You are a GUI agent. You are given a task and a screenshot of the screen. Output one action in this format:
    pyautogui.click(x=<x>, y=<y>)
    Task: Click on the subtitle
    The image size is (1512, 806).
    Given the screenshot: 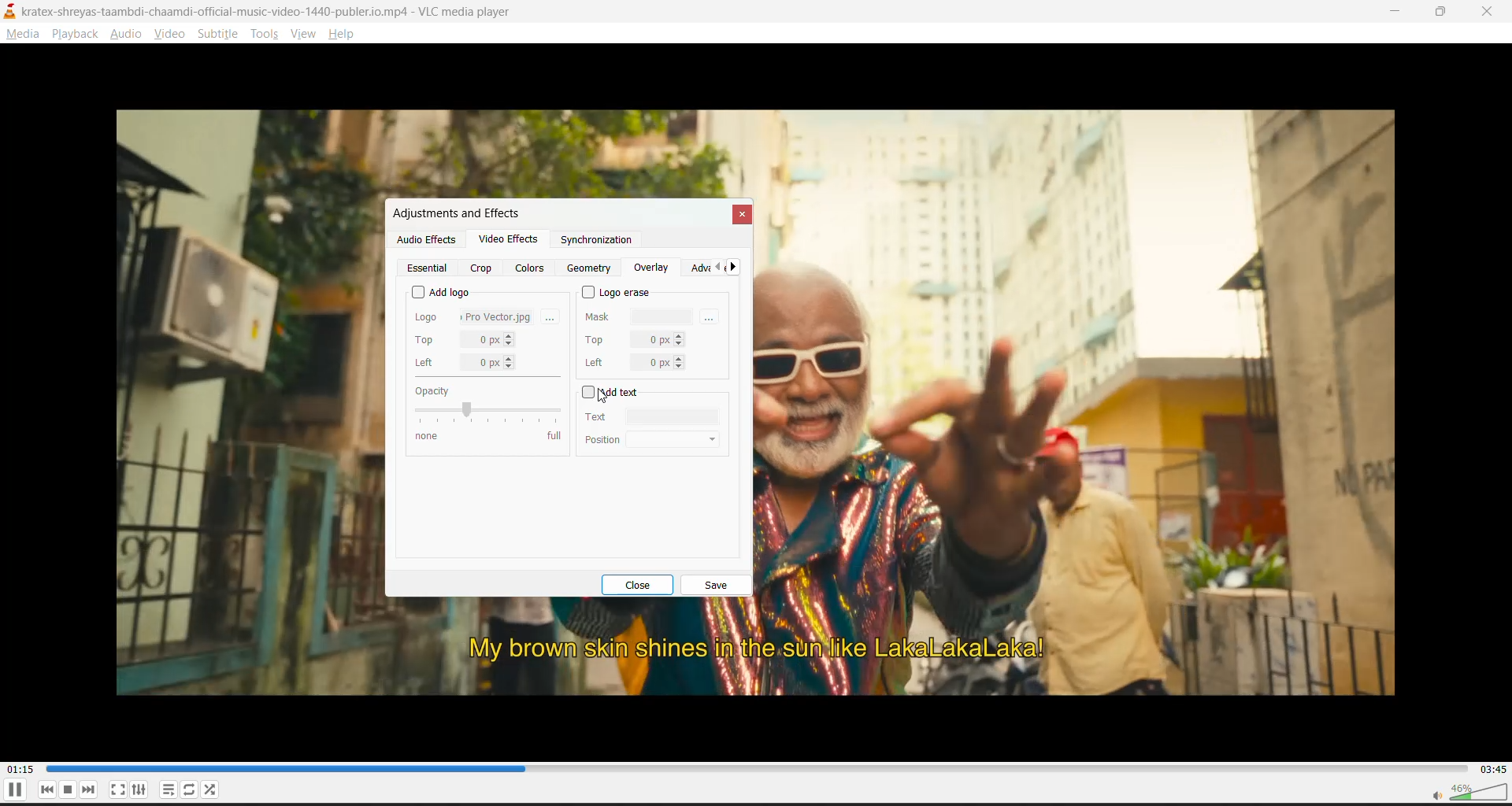 What is the action you would take?
    pyautogui.click(x=220, y=35)
    